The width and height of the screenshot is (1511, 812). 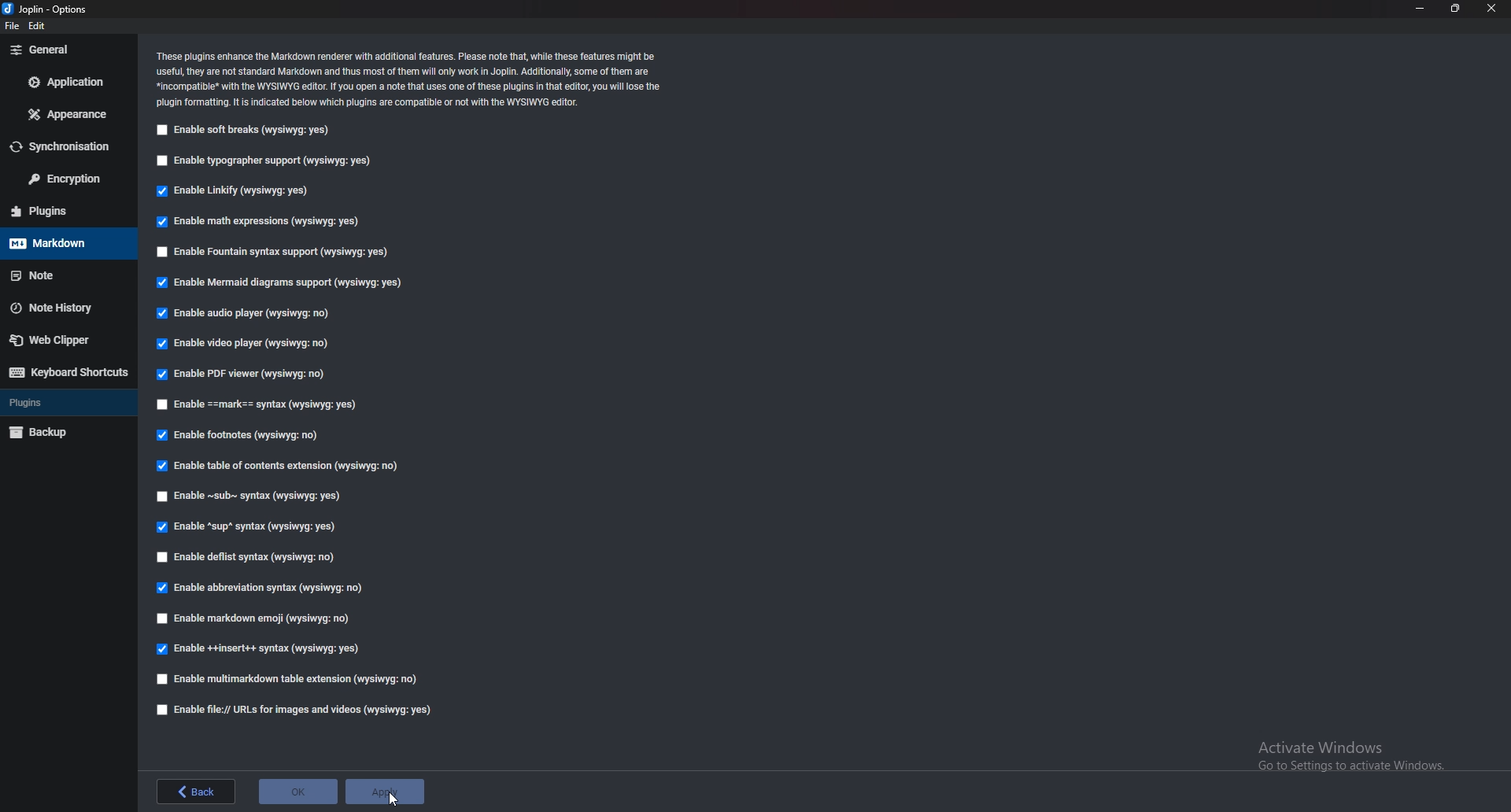 What do you see at coordinates (68, 179) in the screenshot?
I see `Encryption` at bounding box center [68, 179].